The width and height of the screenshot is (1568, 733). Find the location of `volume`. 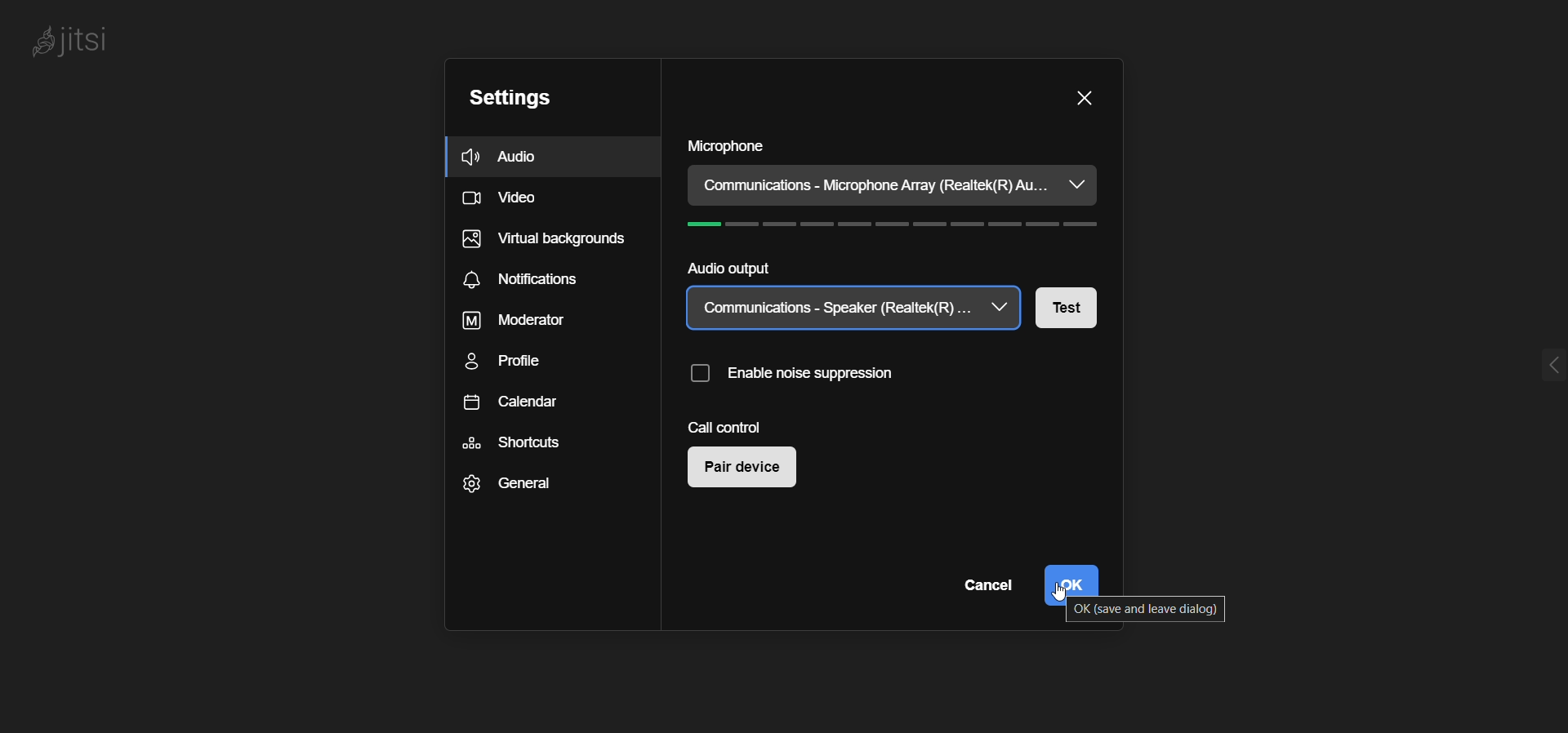

volume is located at coordinates (901, 227).